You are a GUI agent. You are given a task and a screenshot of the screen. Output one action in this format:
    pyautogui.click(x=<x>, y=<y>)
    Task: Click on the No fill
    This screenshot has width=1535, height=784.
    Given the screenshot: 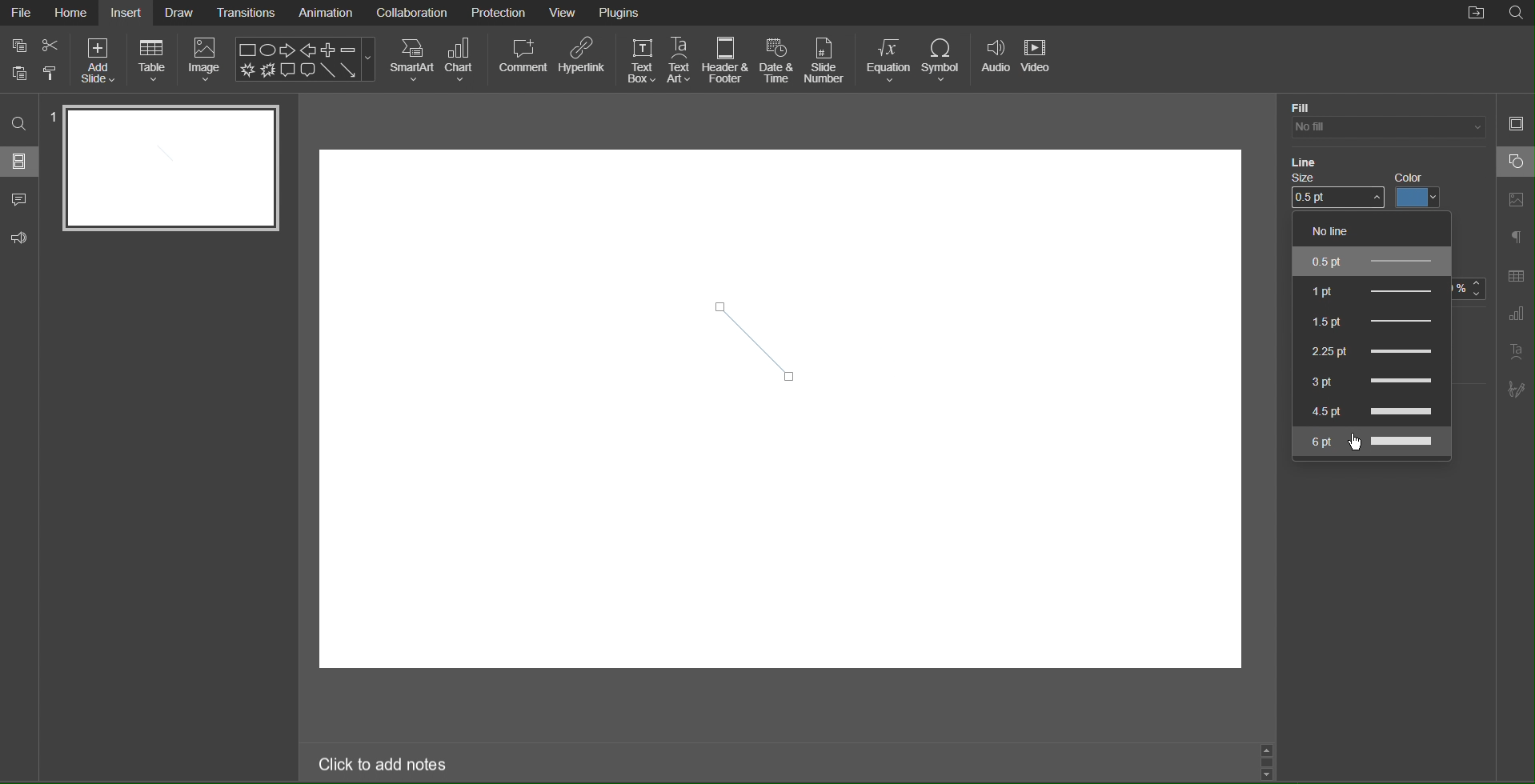 What is the action you would take?
    pyautogui.click(x=1385, y=128)
    